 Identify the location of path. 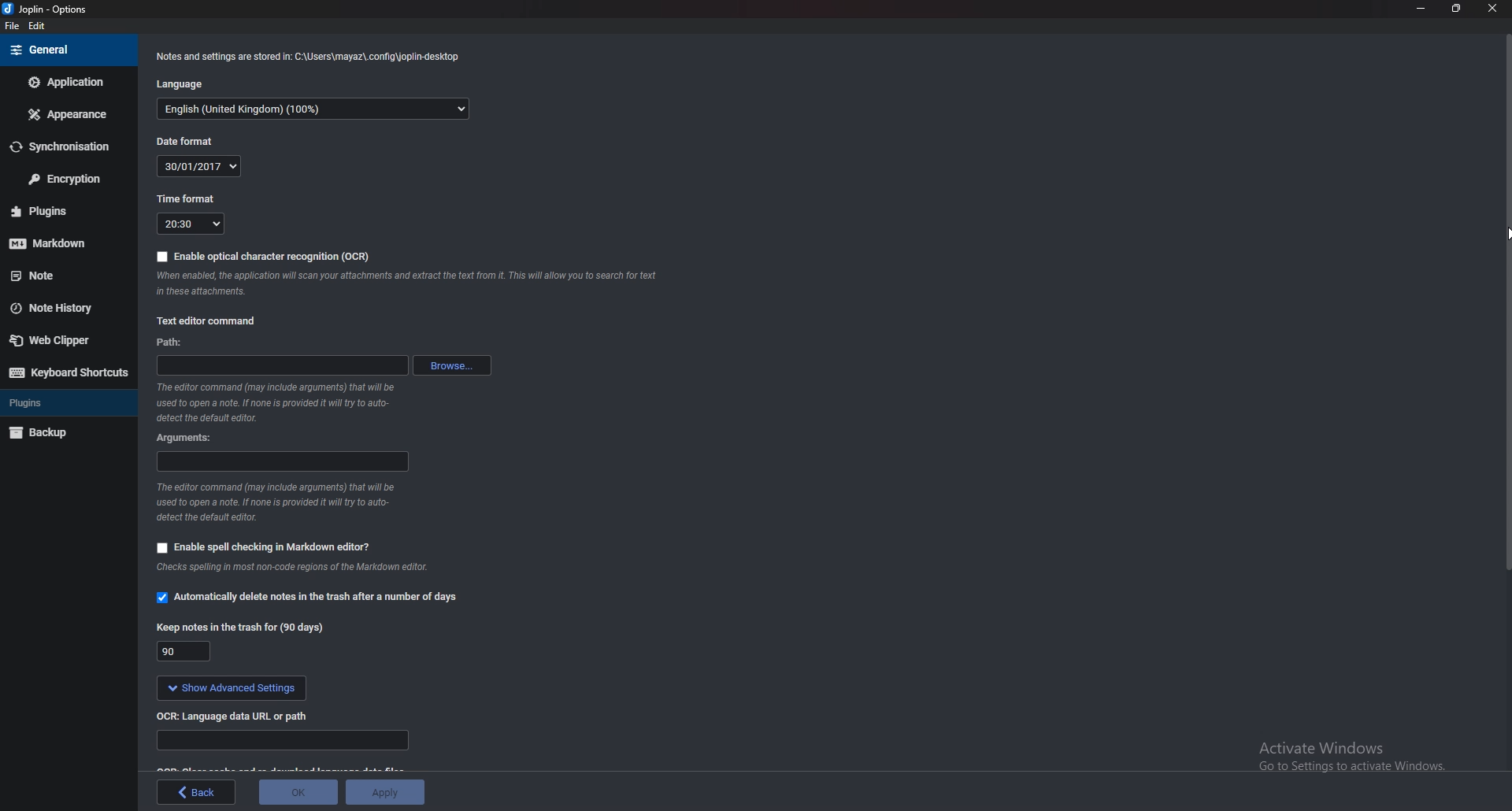
(280, 365).